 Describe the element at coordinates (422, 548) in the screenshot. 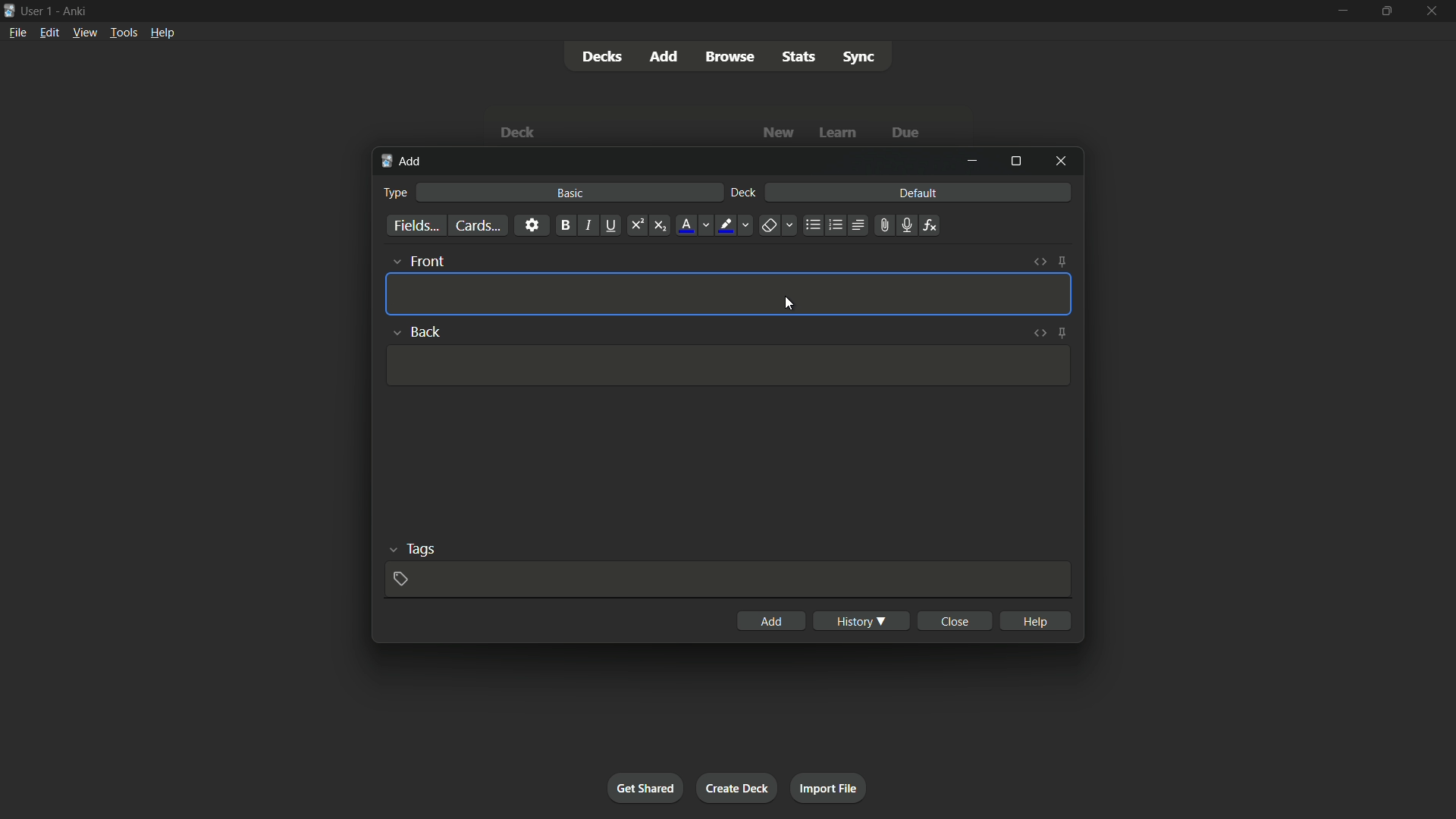

I see `tags` at that location.